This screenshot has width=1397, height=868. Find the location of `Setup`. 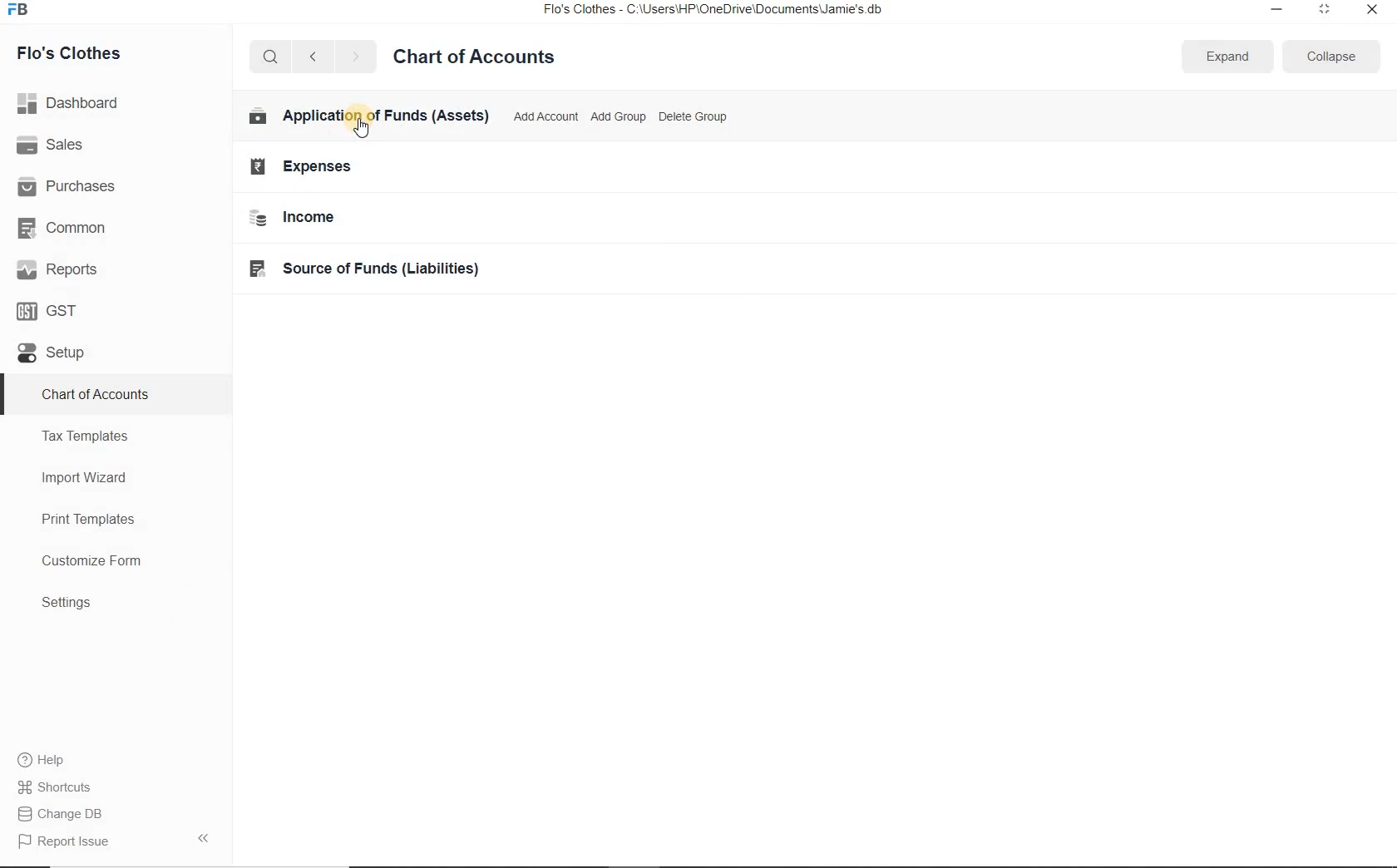

Setup is located at coordinates (73, 360).